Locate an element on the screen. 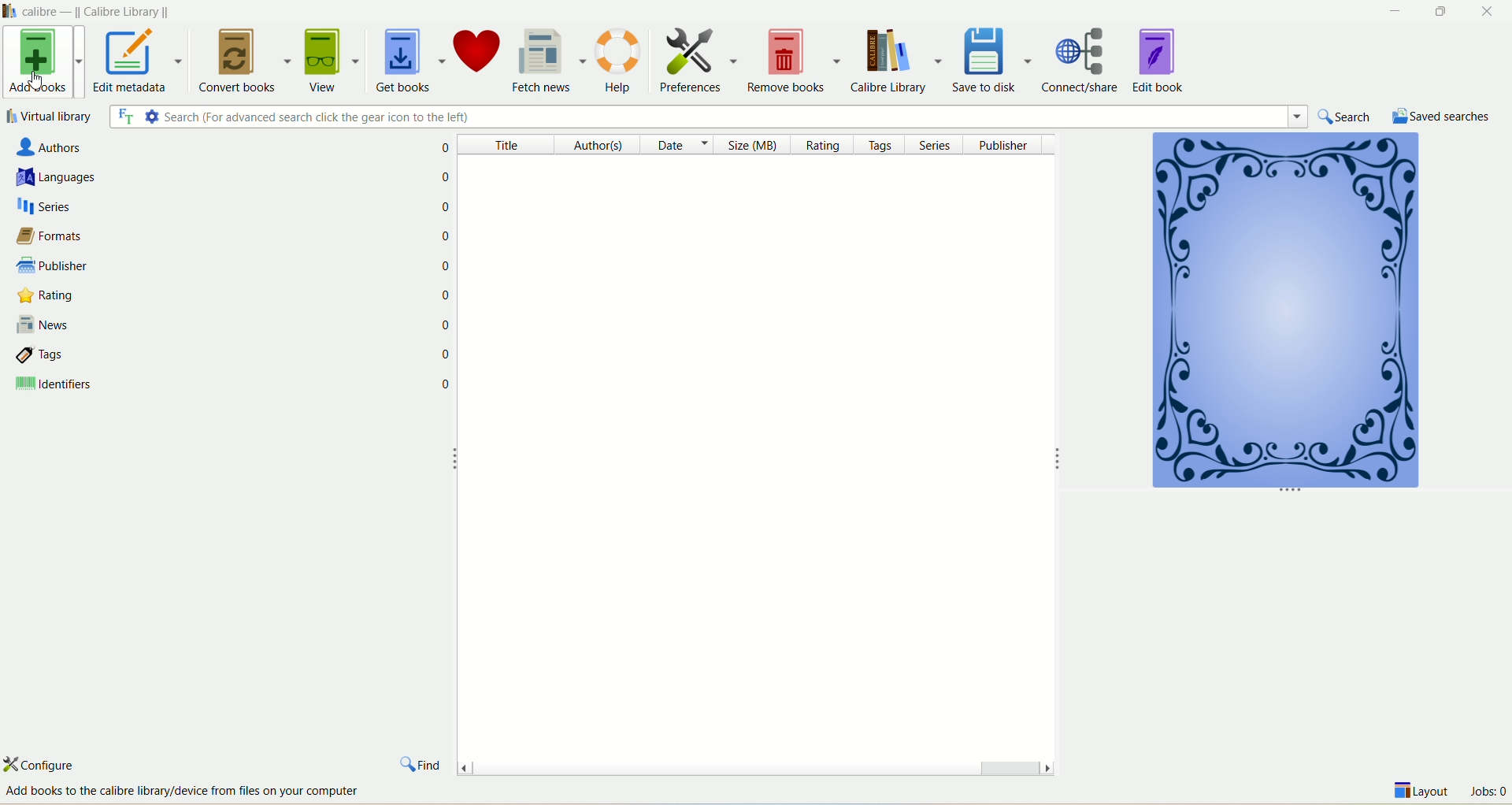  save to disk is located at coordinates (995, 58).